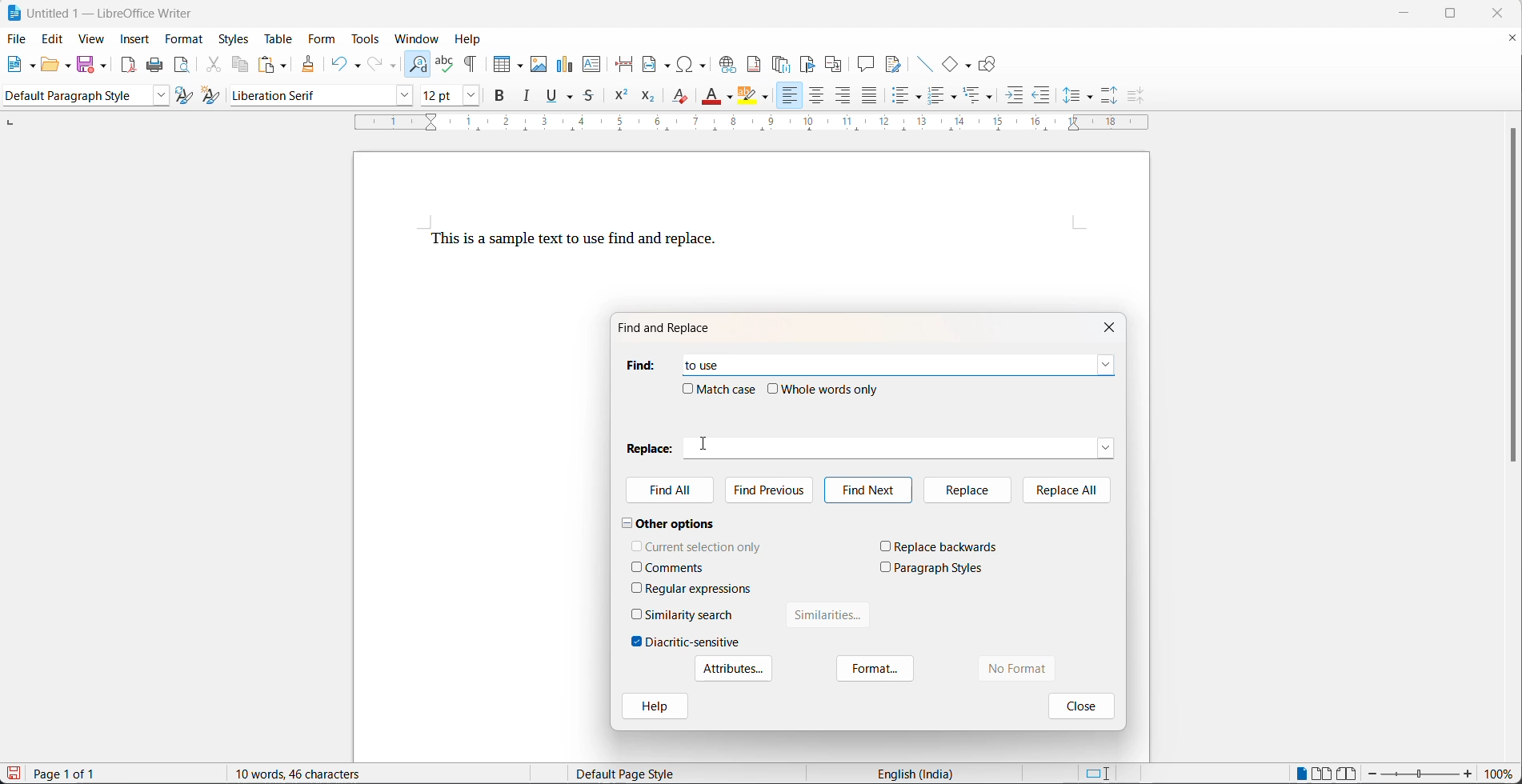 This screenshot has width=1522, height=784. What do you see at coordinates (306, 96) in the screenshot?
I see `font name` at bounding box center [306, 96].